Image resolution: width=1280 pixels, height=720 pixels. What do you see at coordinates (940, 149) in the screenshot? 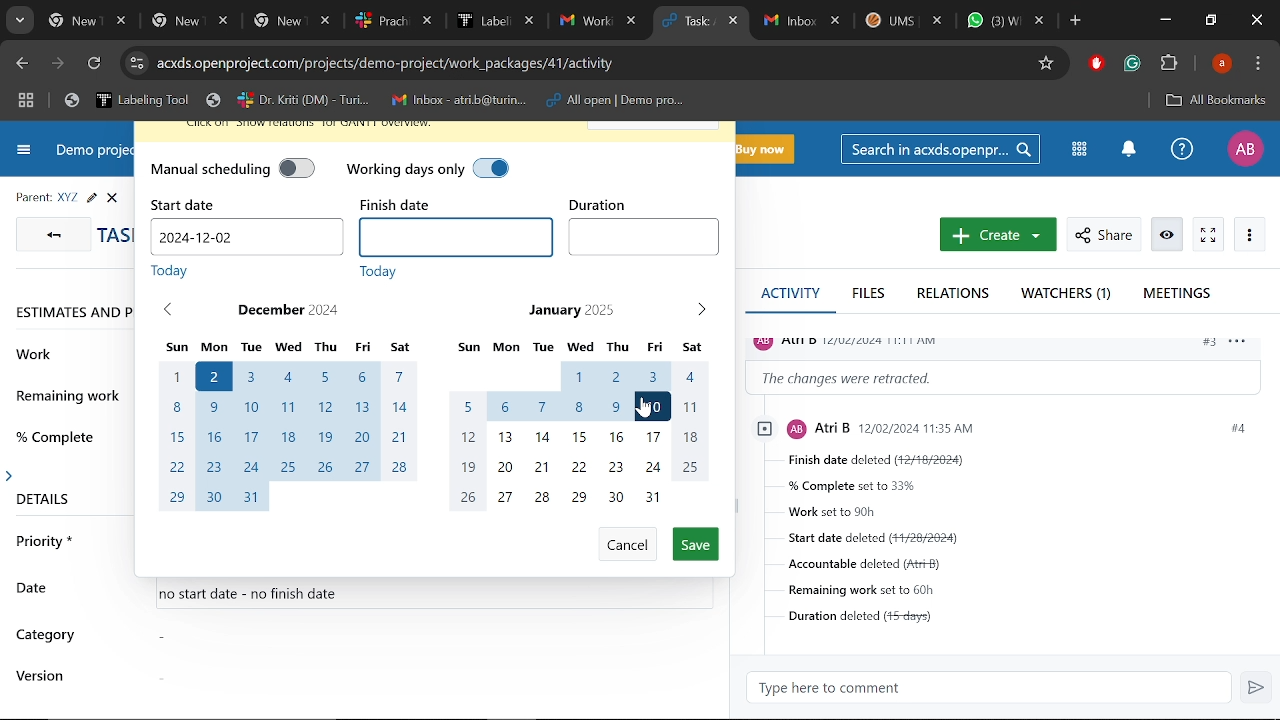
I see `Search in acxds.openproject` at bounding box center [940, 149].